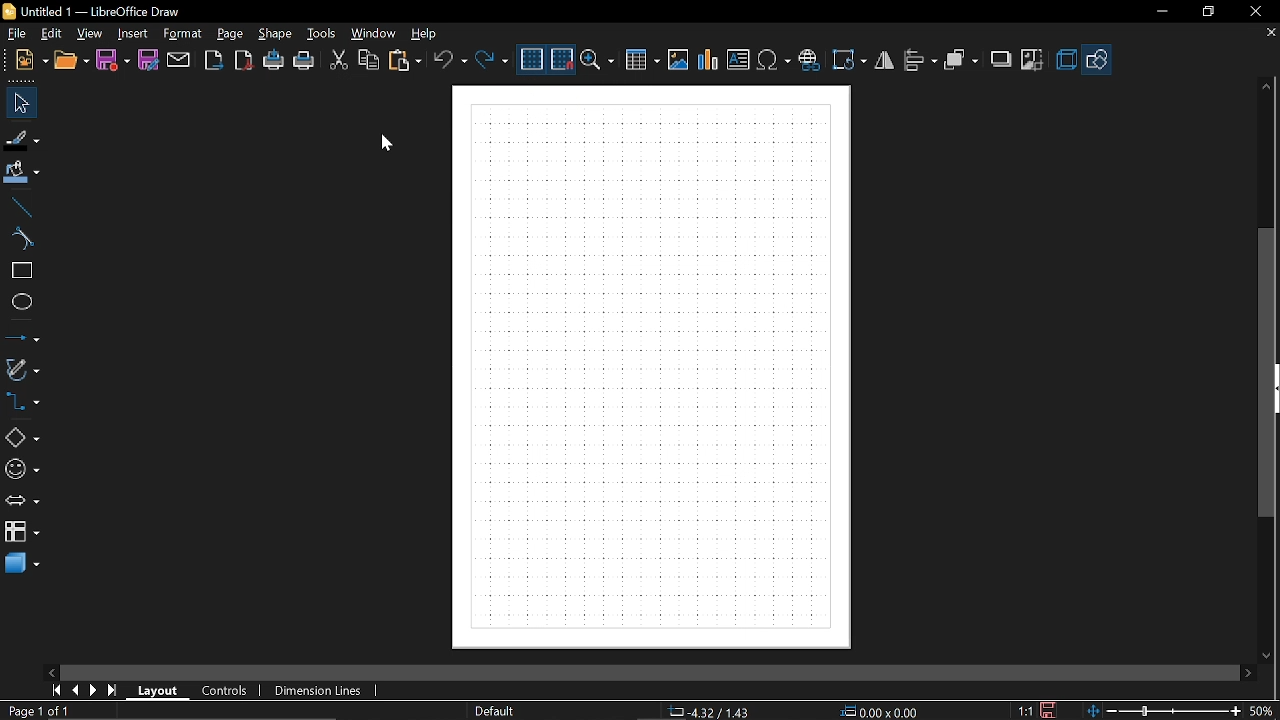 The image size is (1280, 720). I want to click on  chart, so click(709, 59).